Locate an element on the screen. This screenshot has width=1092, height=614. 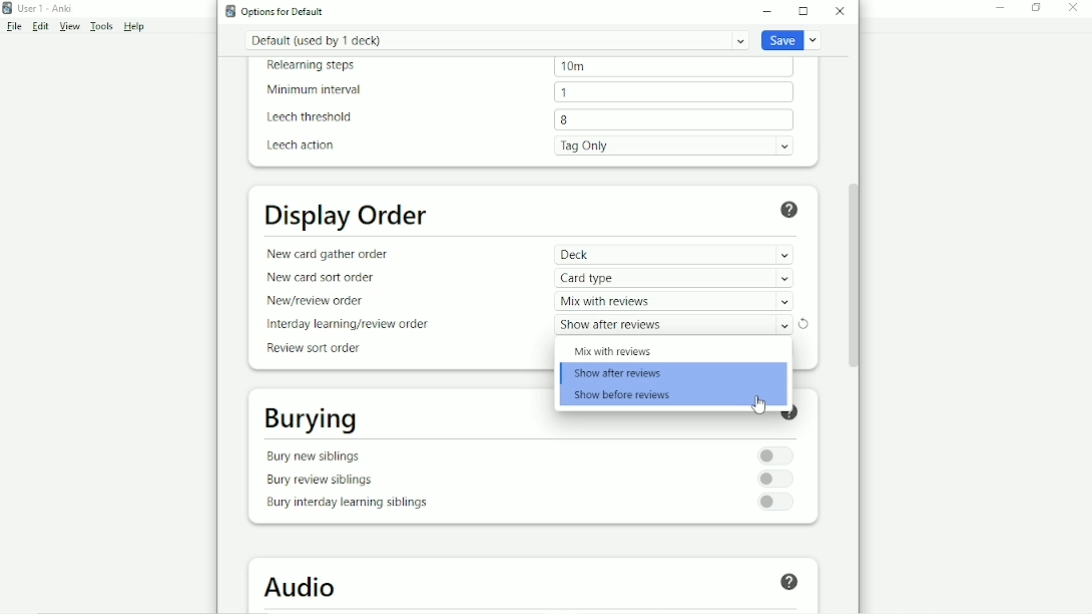
Edit is located at coordinates (40, 26).